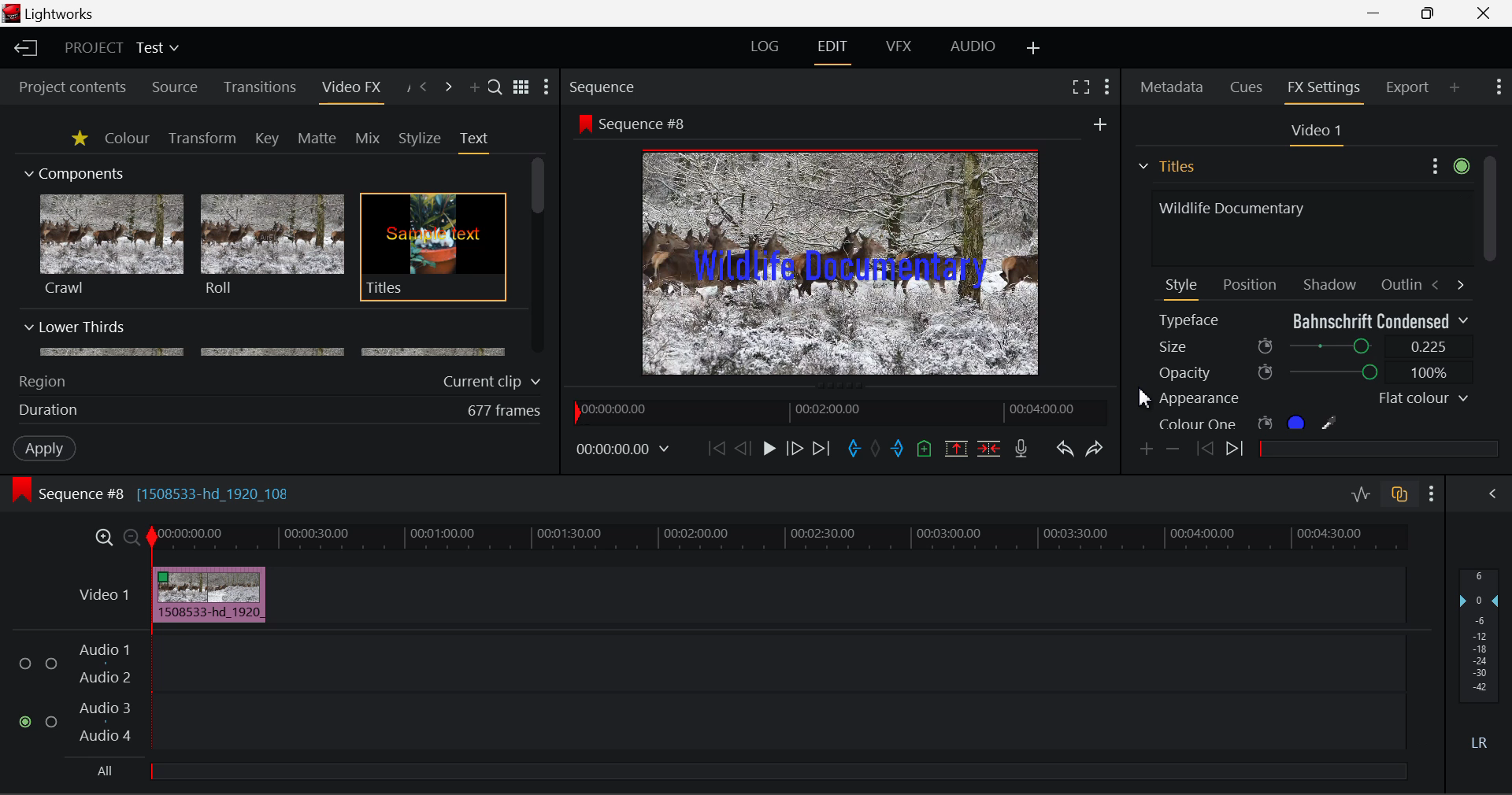 Image resolution: width=1512 pixels, height=795 pixels. What do you see at coordinates (316, 138) in the screenshot?
I see `Matte` at bounding box center [316, 138].